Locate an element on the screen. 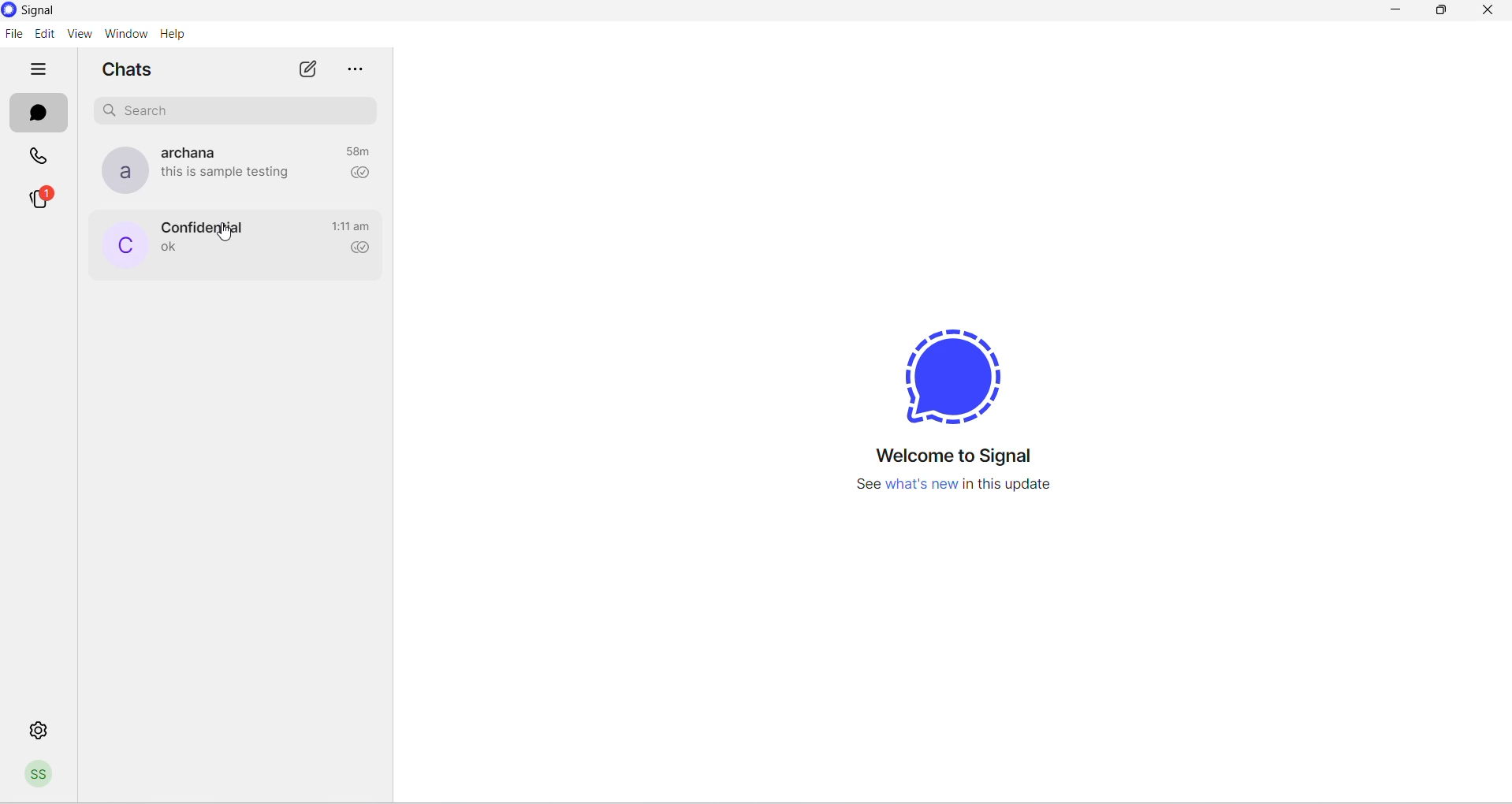  contact name is located at coordinates (187, 152).